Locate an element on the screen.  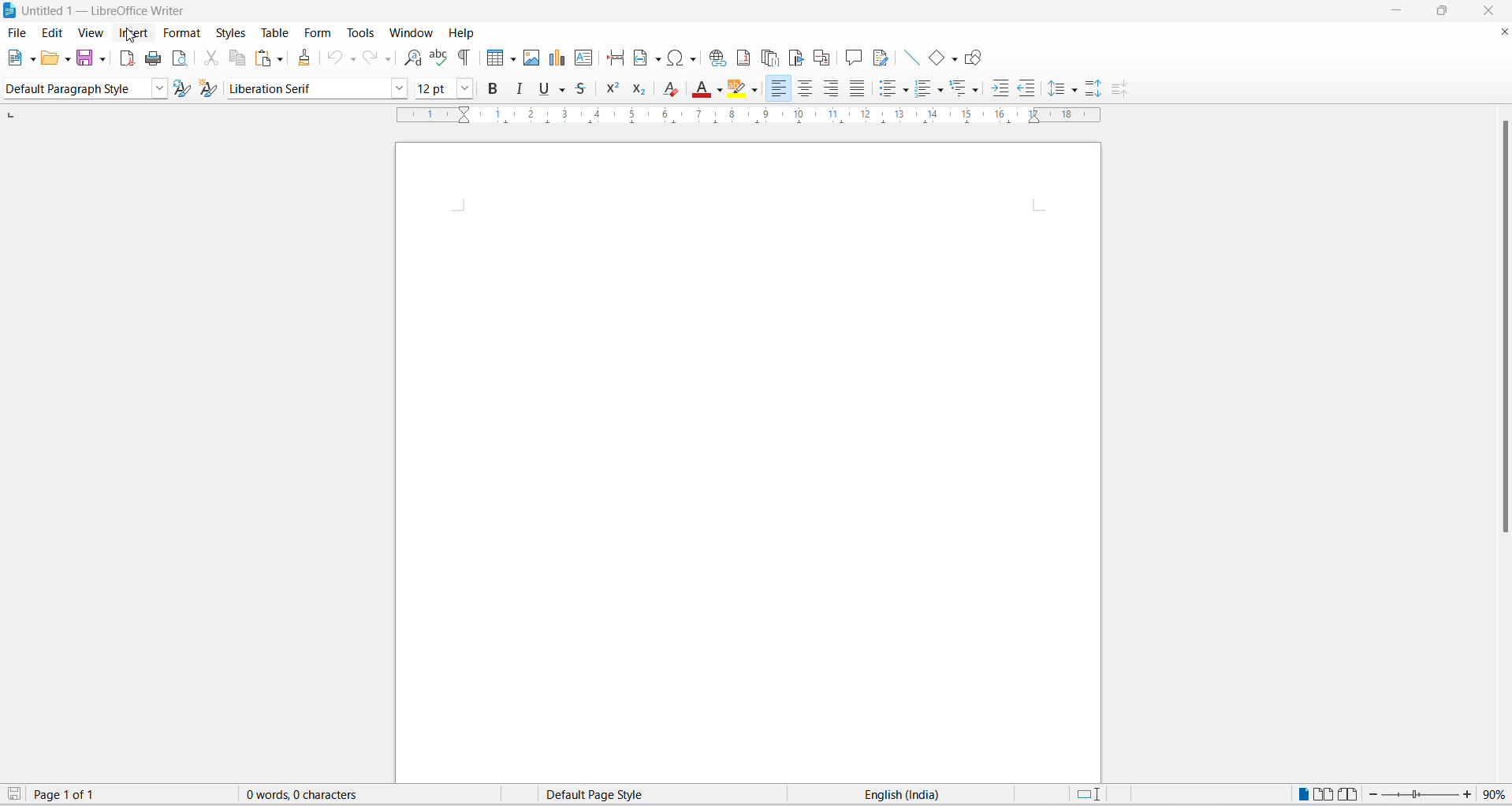
paste options is located at coordinates (281, 58).